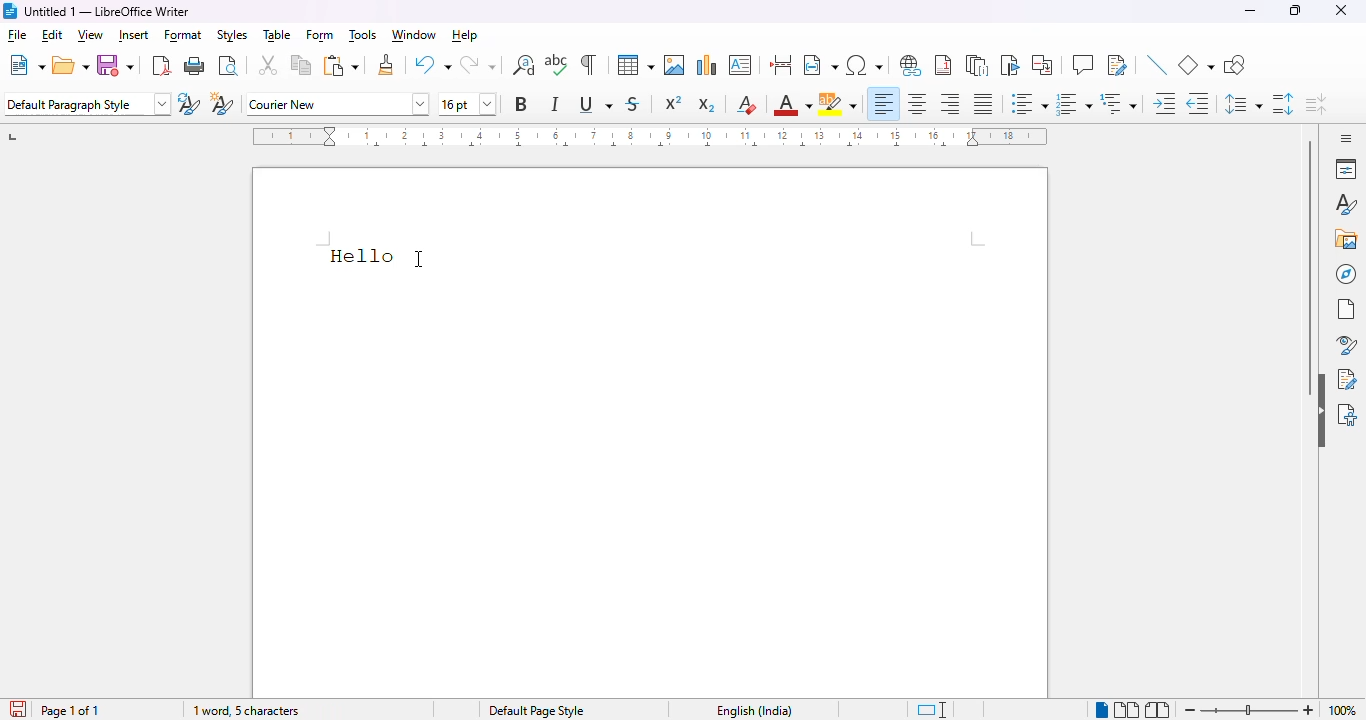 This screenshot has height=720, width=1366. I want to click on page, so click(1347, 309).